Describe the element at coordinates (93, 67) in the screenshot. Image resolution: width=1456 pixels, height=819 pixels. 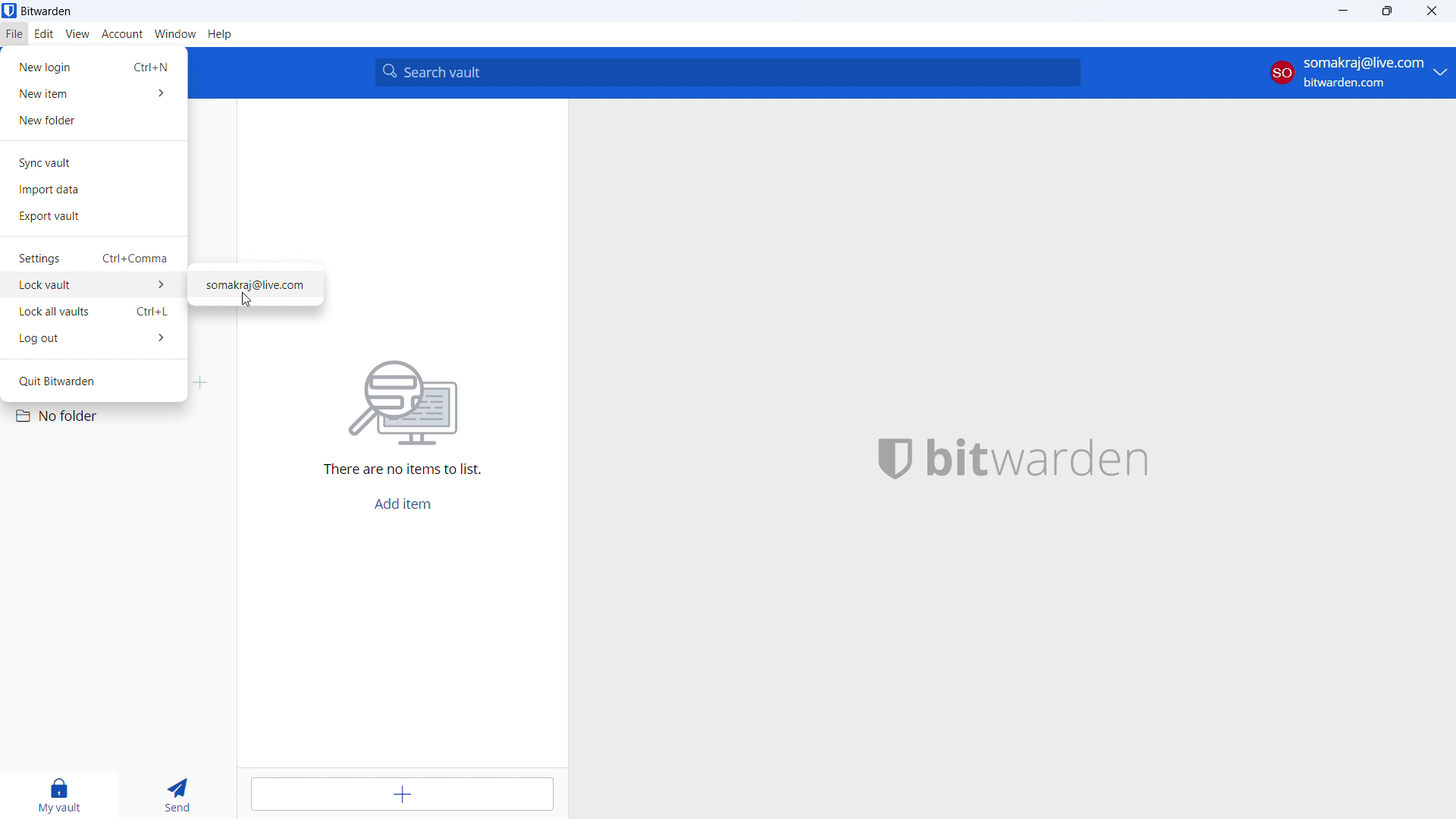
I see `new login` at that location.